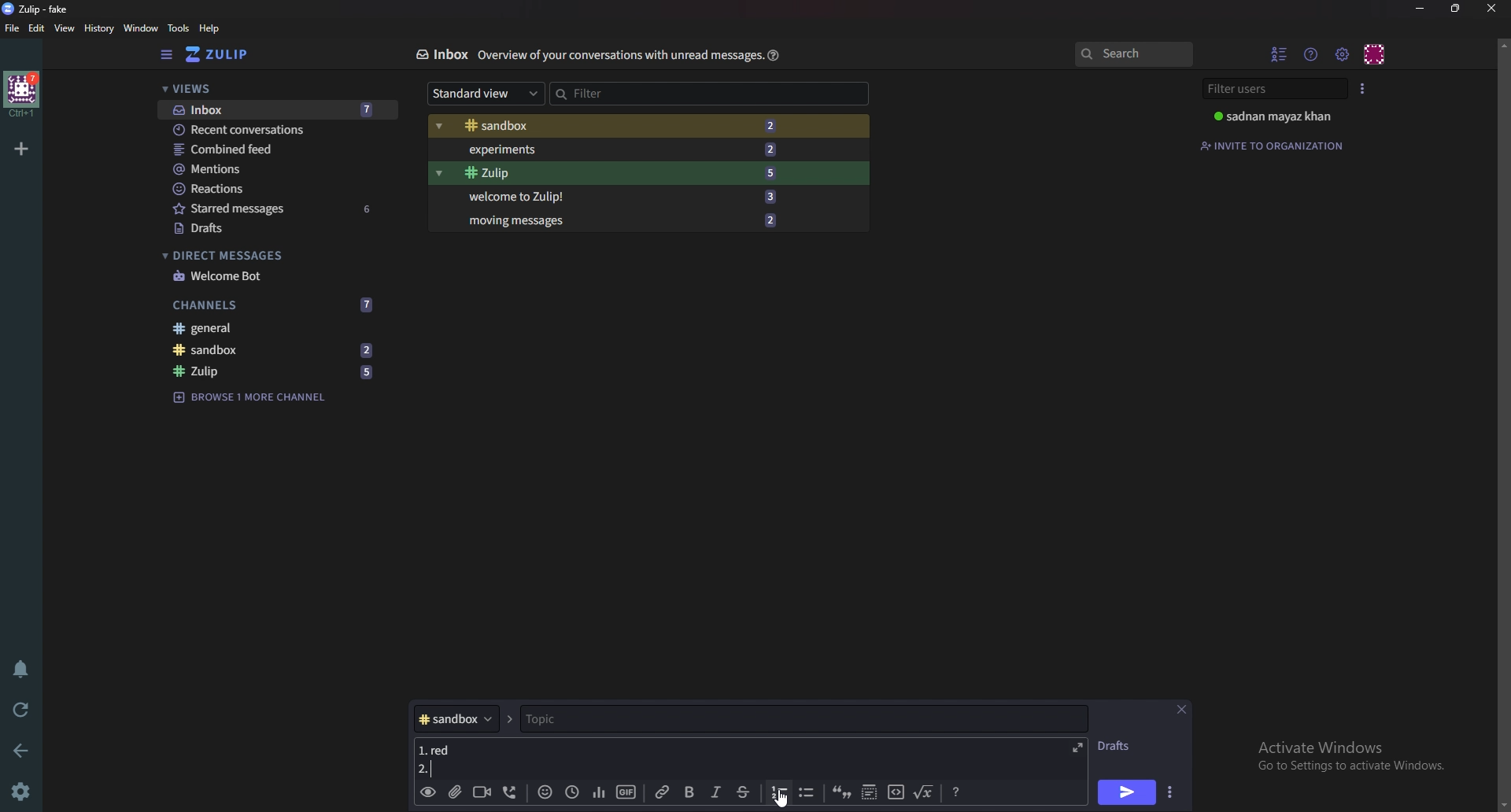 This screenshot has height=812, width=1511. Describe the element at coordinates (24, 748) in the screenshot. I see `back` at that location.